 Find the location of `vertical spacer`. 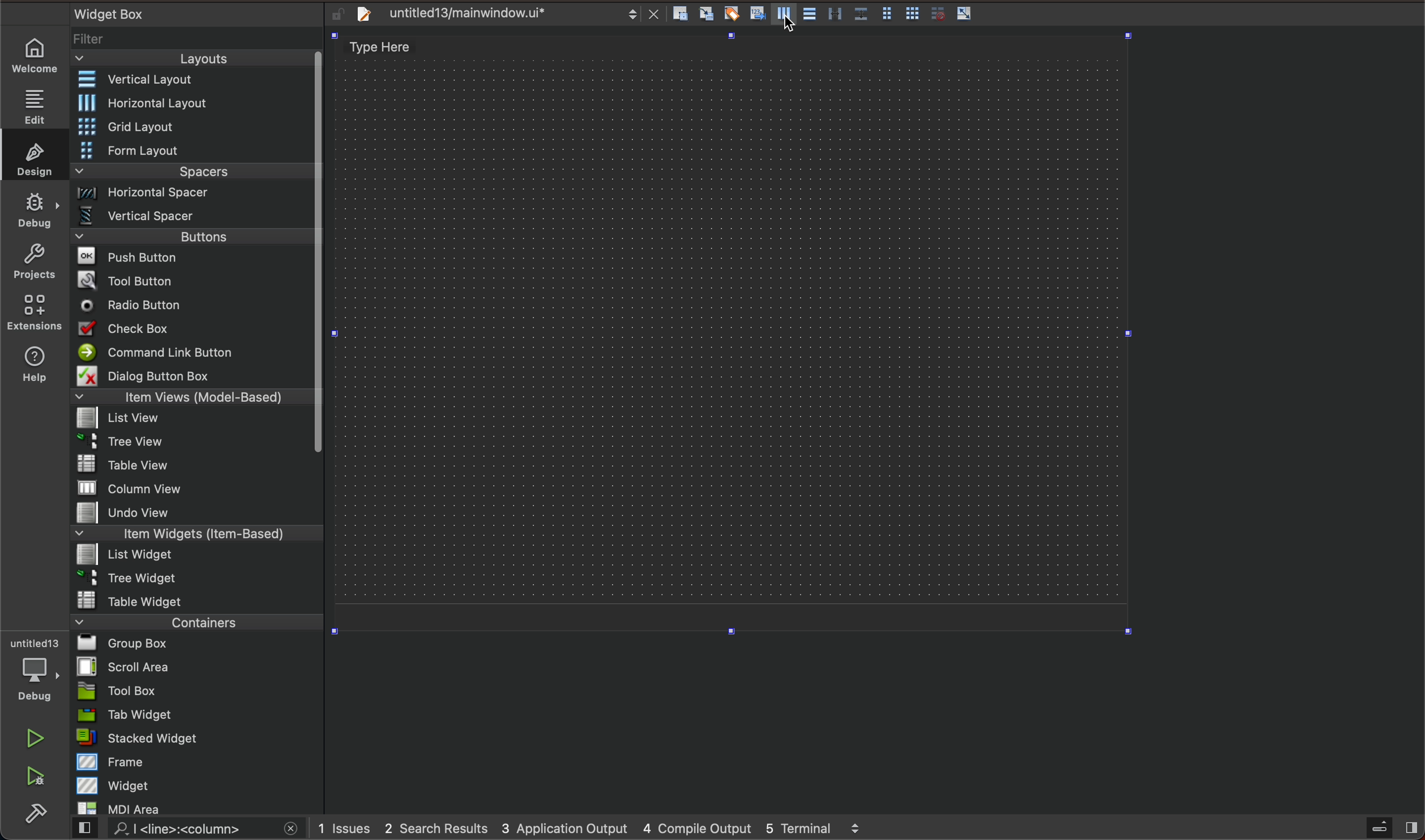

vertical spacer is located at coordinates (192, 216).